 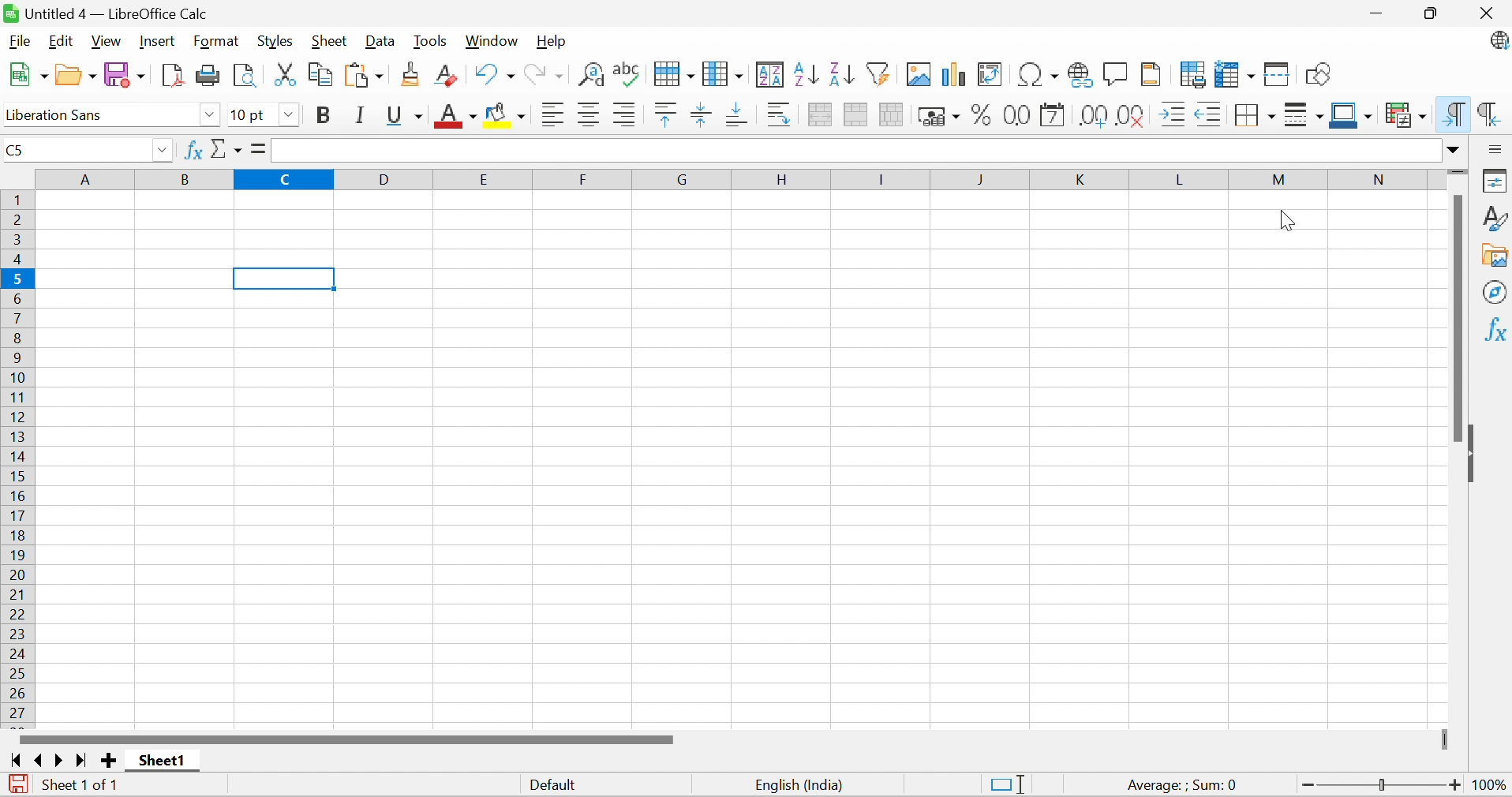 I want to click on Navigator, so click(x=1496, y=291).